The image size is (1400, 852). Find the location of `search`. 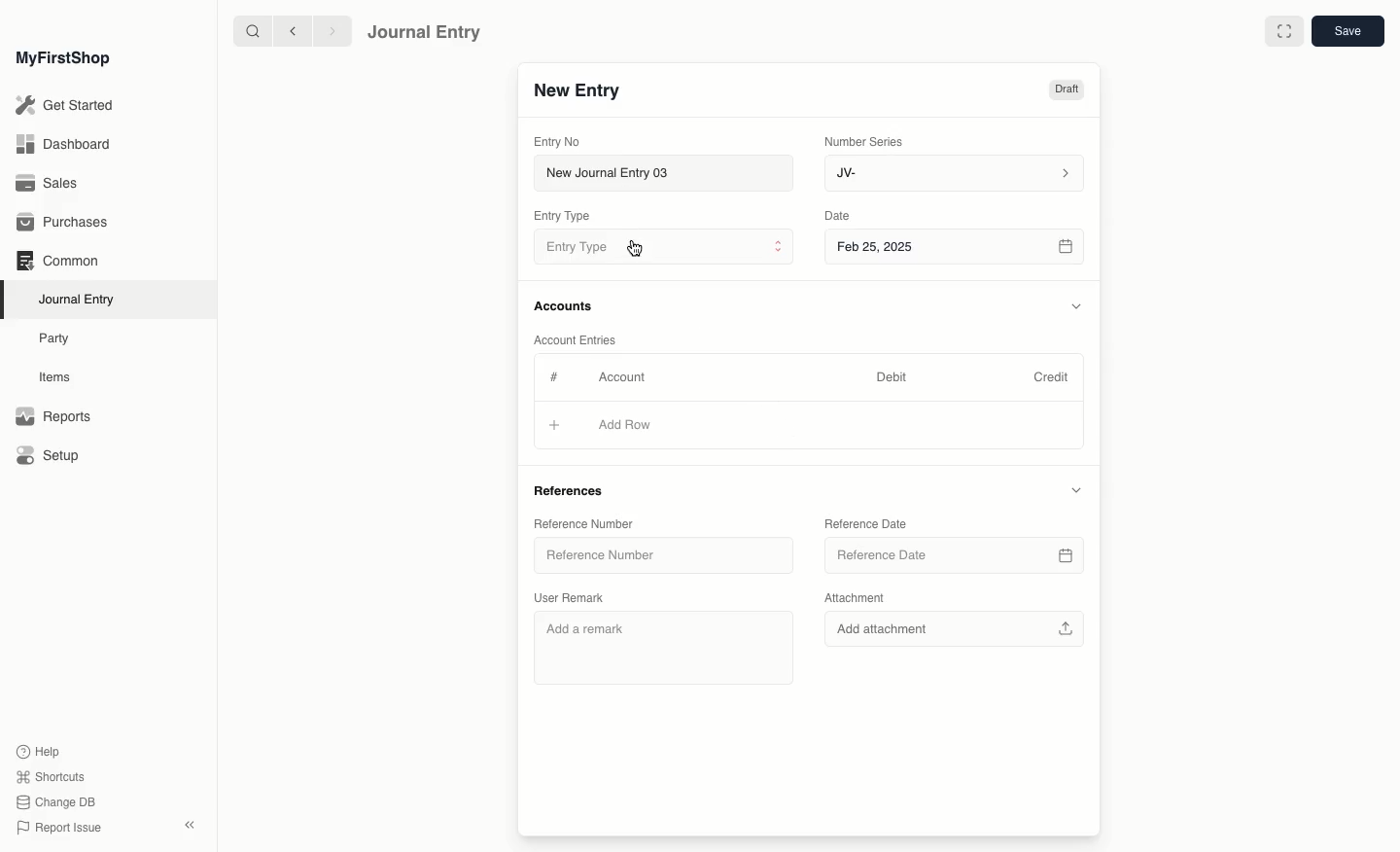

search is located at coordinates (248, 31).